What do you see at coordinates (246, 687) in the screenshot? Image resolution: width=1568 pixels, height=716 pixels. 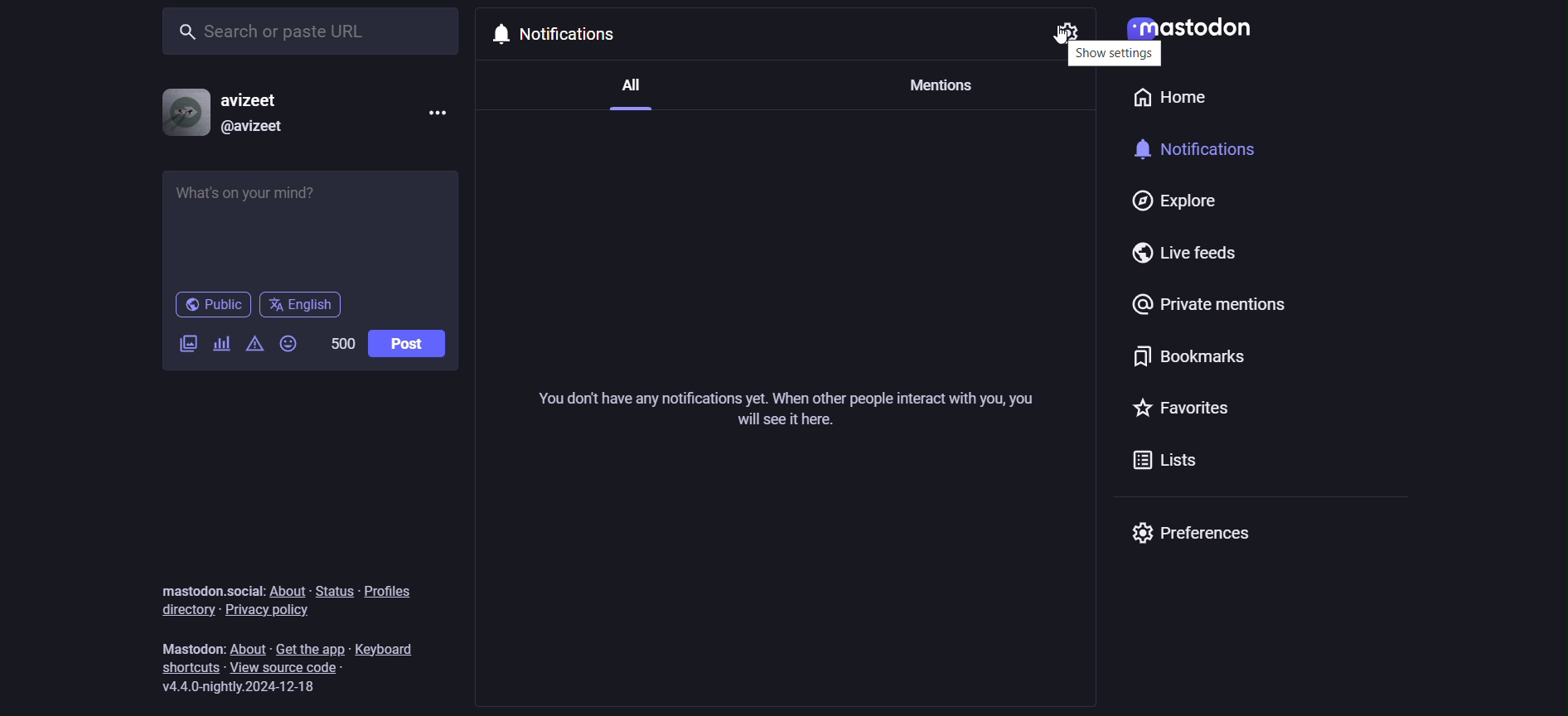 I see `version` at bounding box center [246, 687].